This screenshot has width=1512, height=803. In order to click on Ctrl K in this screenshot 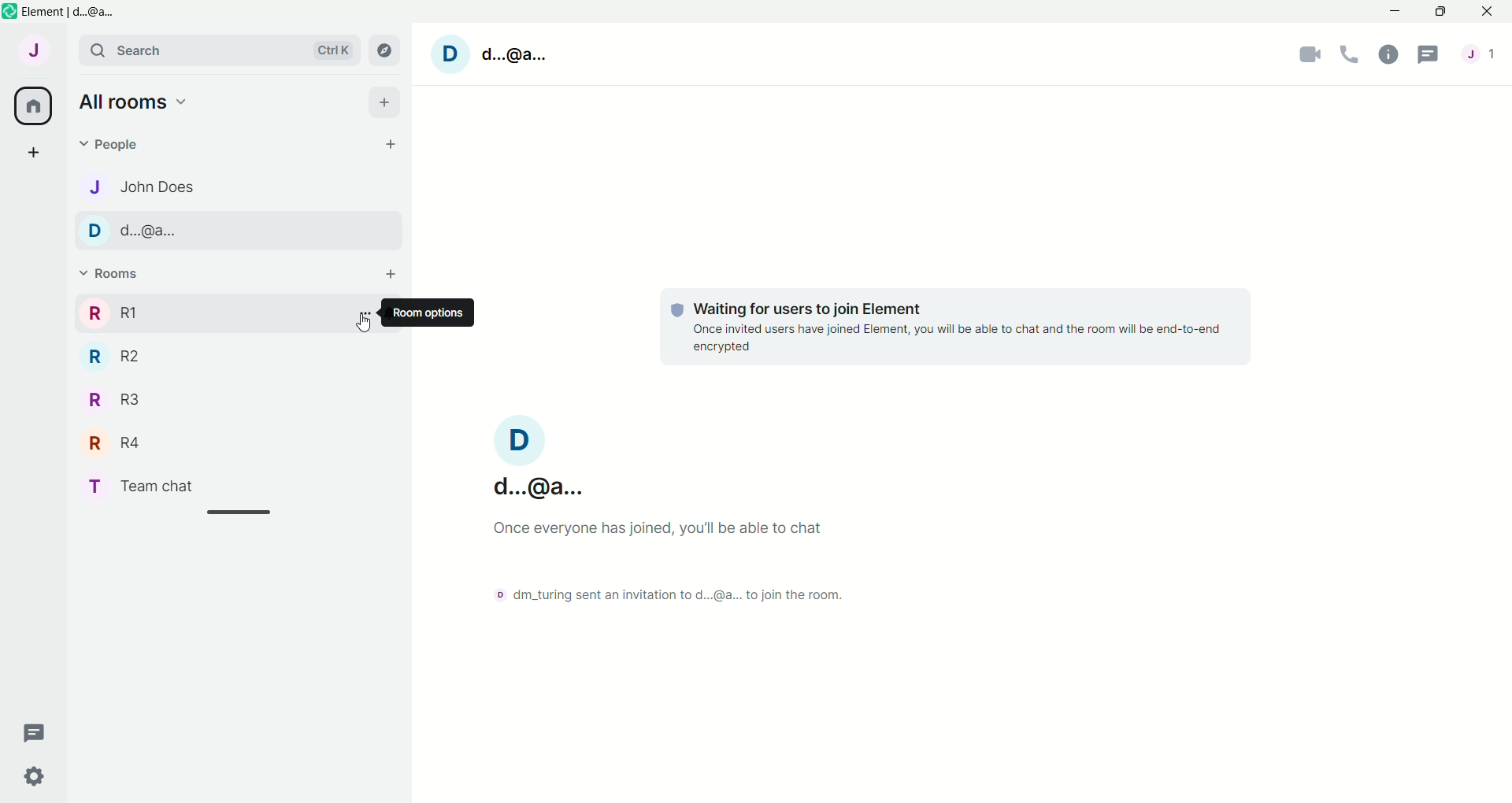, I will do `click(327, 50)`.